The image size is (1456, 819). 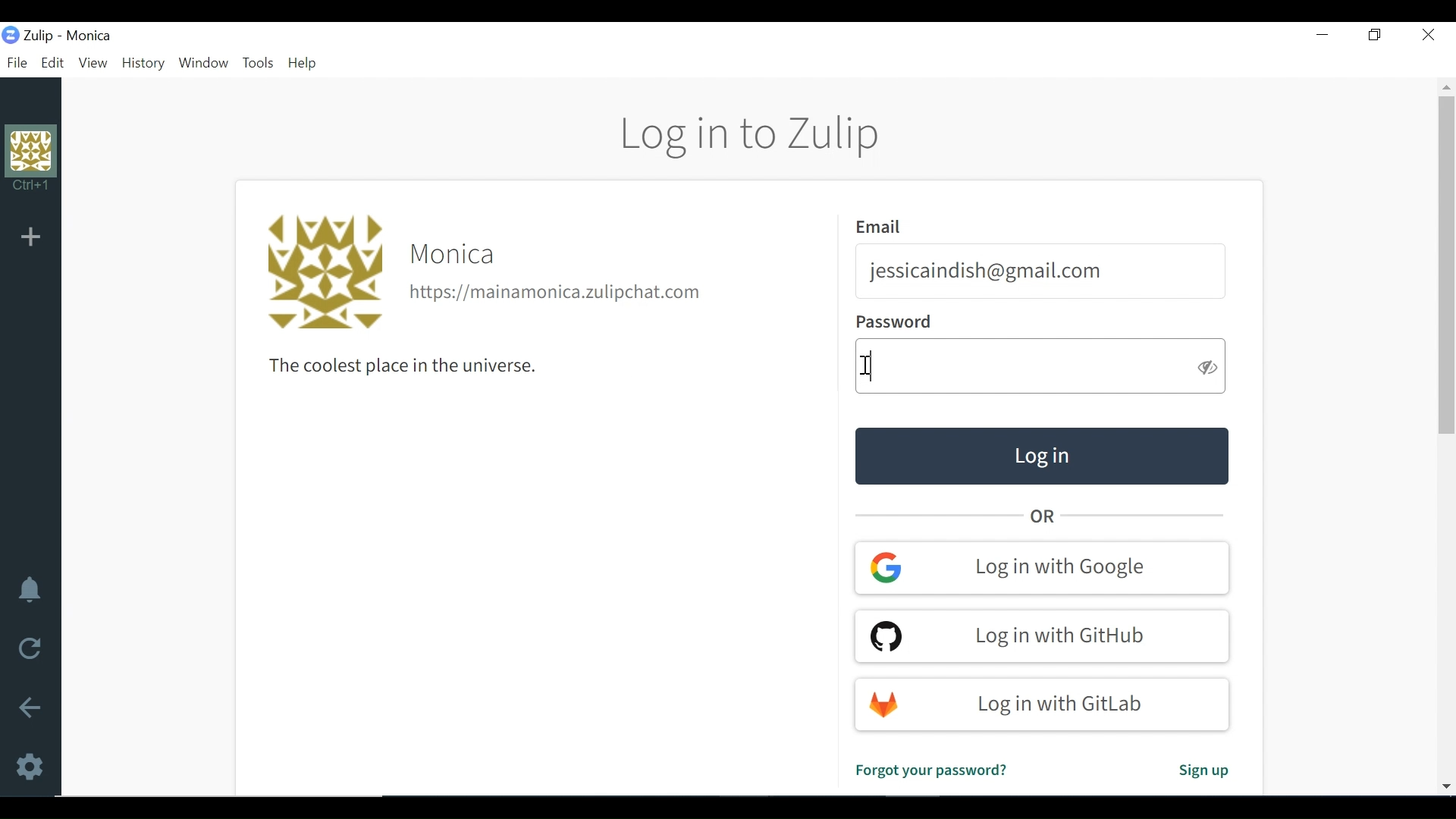 What do you see at coordinates (557, 293) in the screenshot?
I see `Organisation url` at bounding box center [557, 293].